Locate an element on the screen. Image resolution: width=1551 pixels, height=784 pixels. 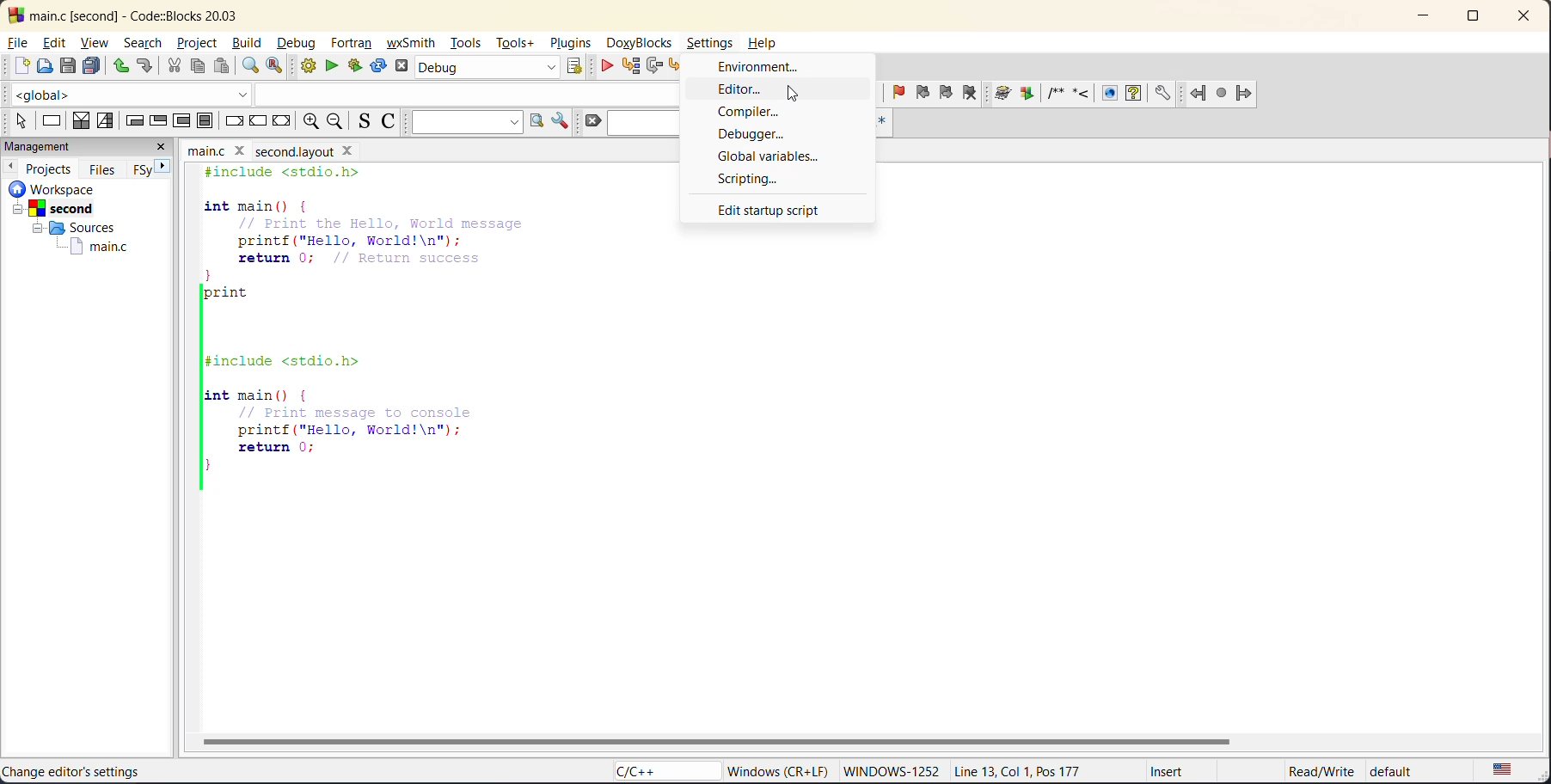
Line 13, Col 1, Pos 177 is located at coordinates (1027, 769).